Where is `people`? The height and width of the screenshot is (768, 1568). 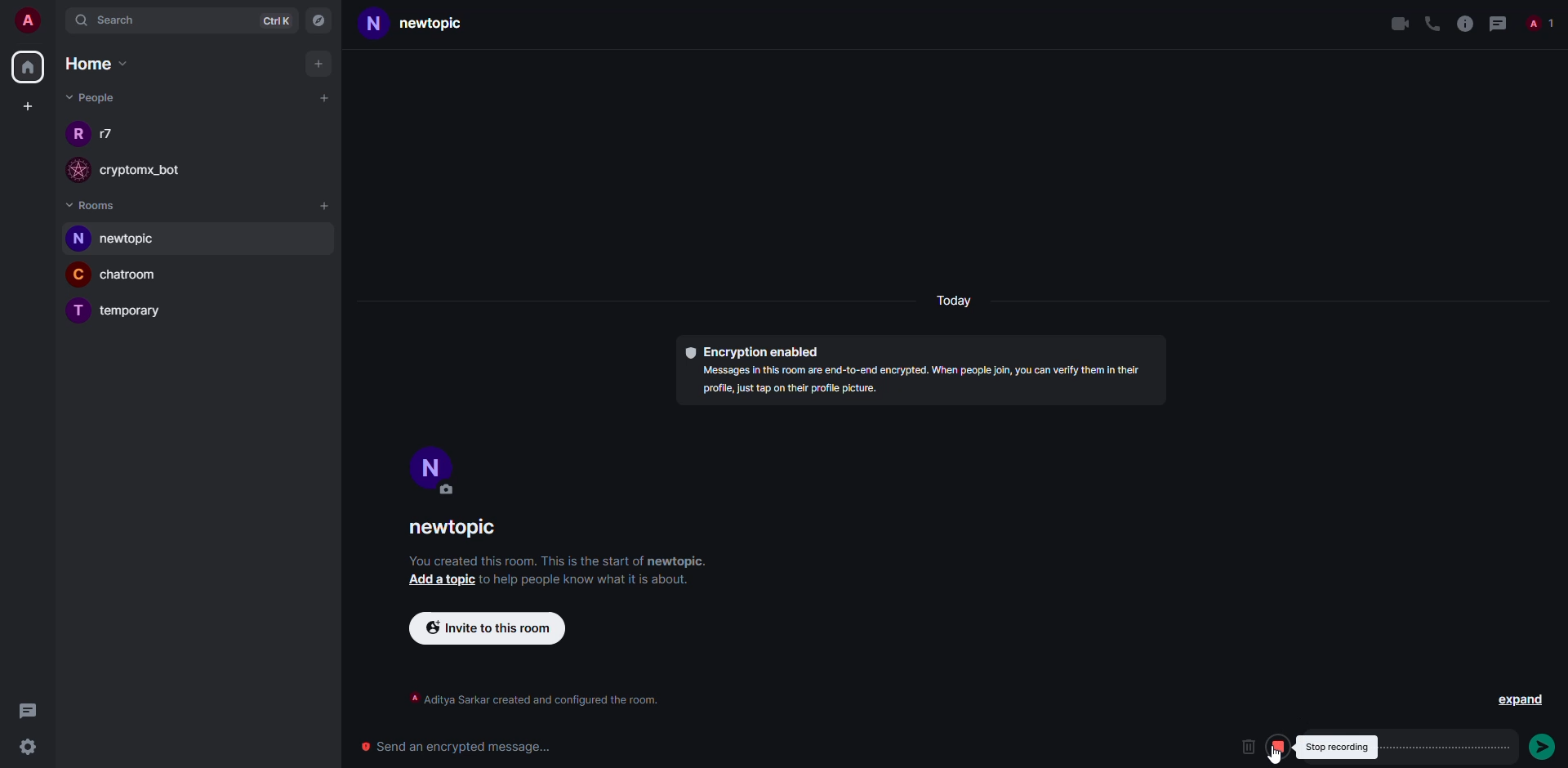
people is located at coordinates (1540, 23).